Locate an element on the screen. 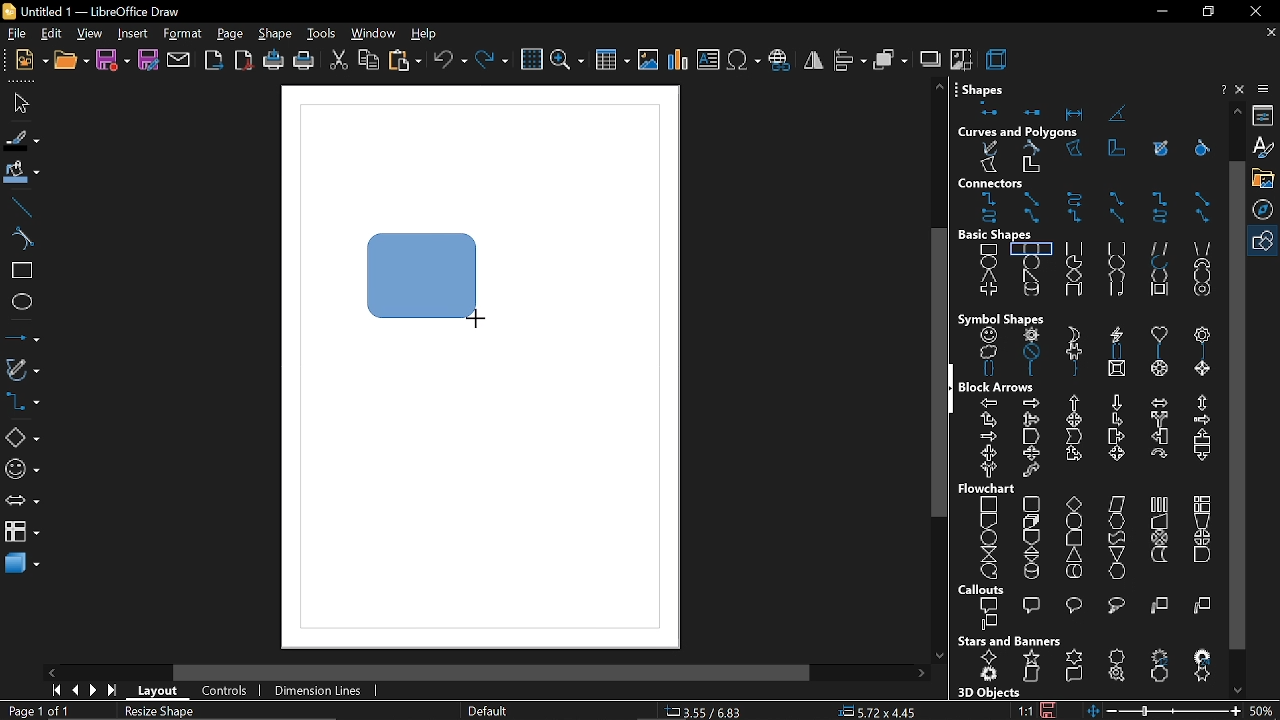  page is located at coordinates (231, 35).